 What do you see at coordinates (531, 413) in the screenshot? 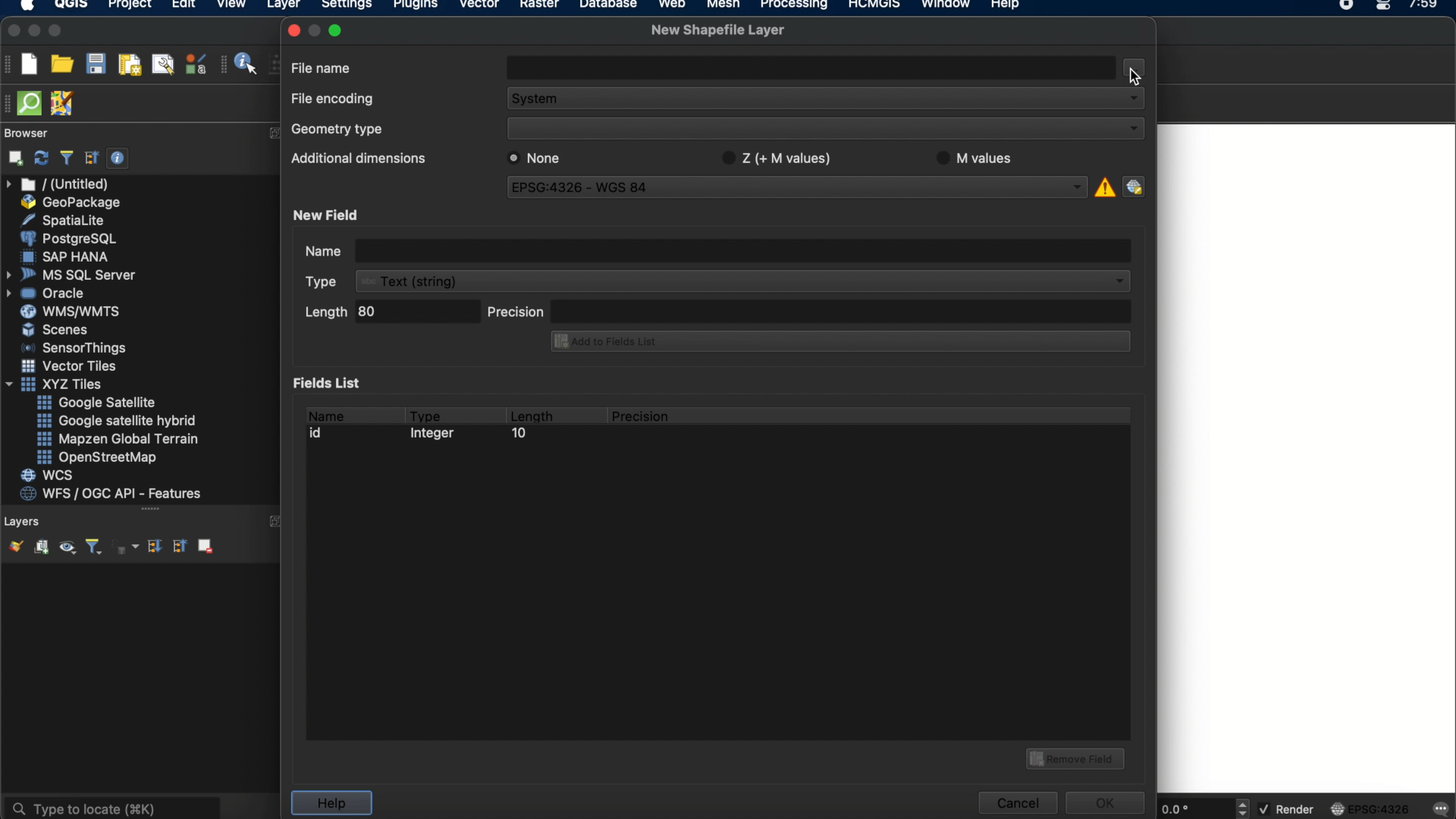
I see `length` at bounding box center [531, 413].